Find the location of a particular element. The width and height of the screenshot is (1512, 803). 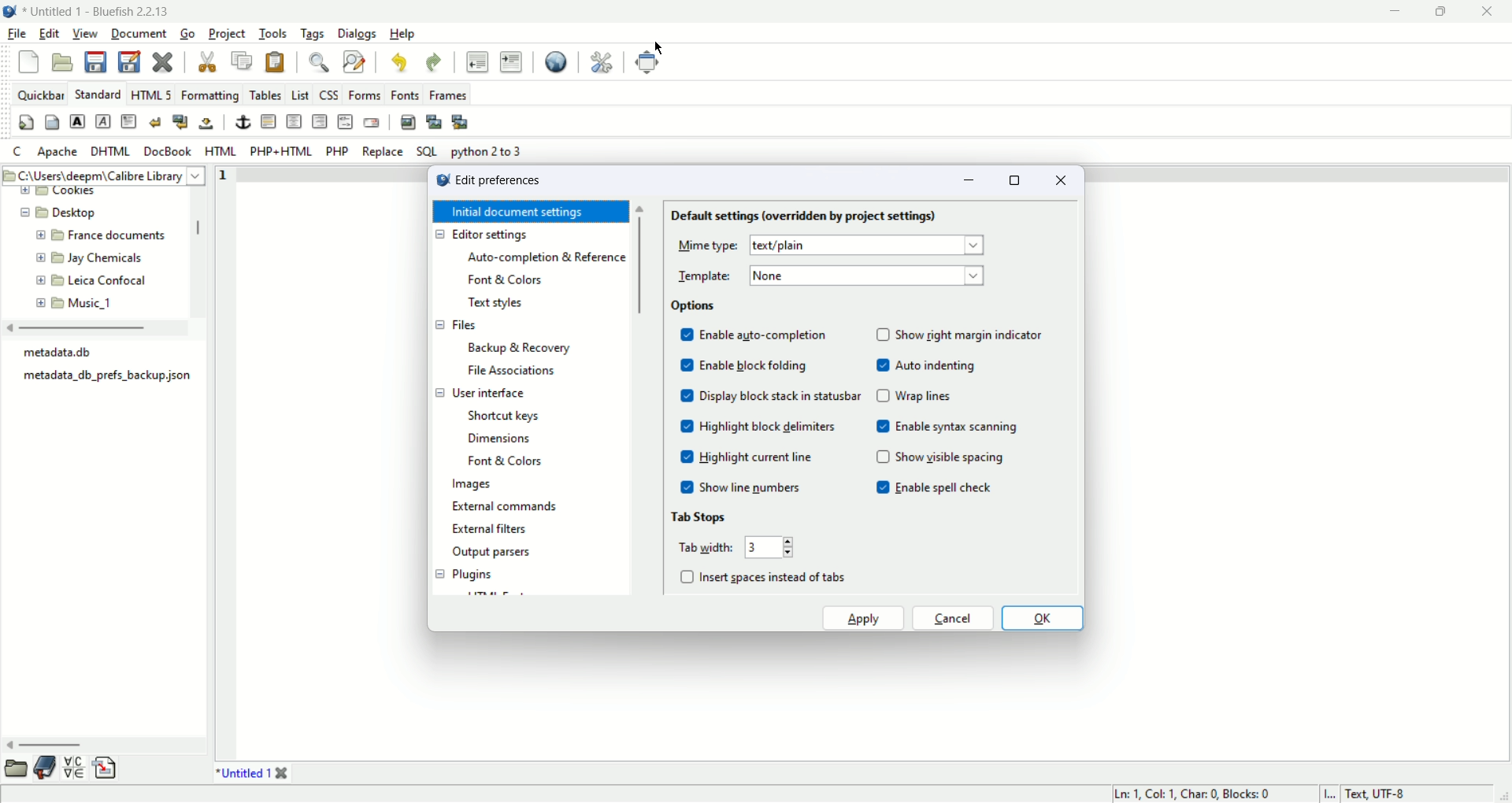

highlight block delimiters is located at coordinates (772, 426).